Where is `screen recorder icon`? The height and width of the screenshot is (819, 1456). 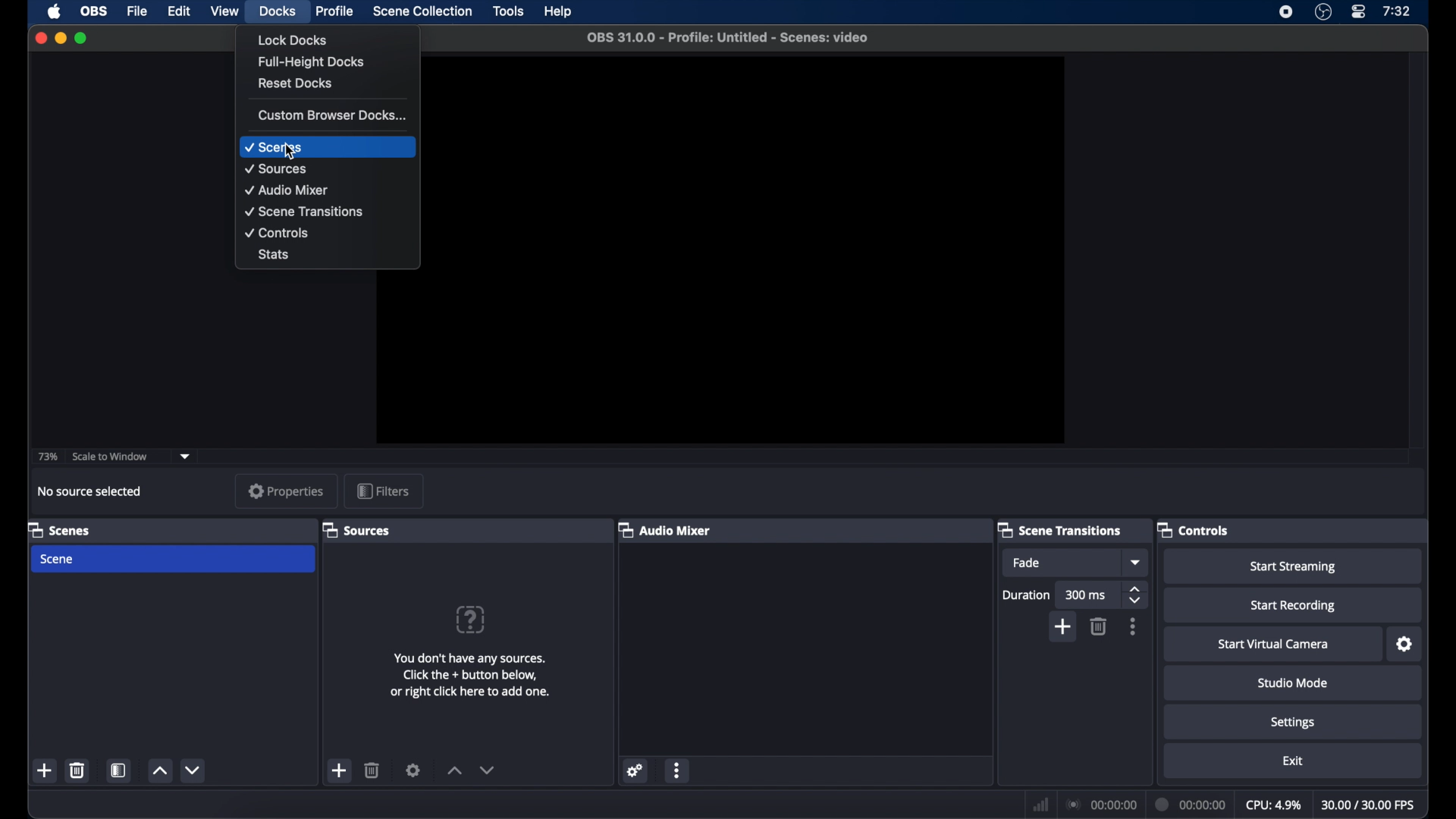 screen recorder icon is located at coordinates (1286, 12).